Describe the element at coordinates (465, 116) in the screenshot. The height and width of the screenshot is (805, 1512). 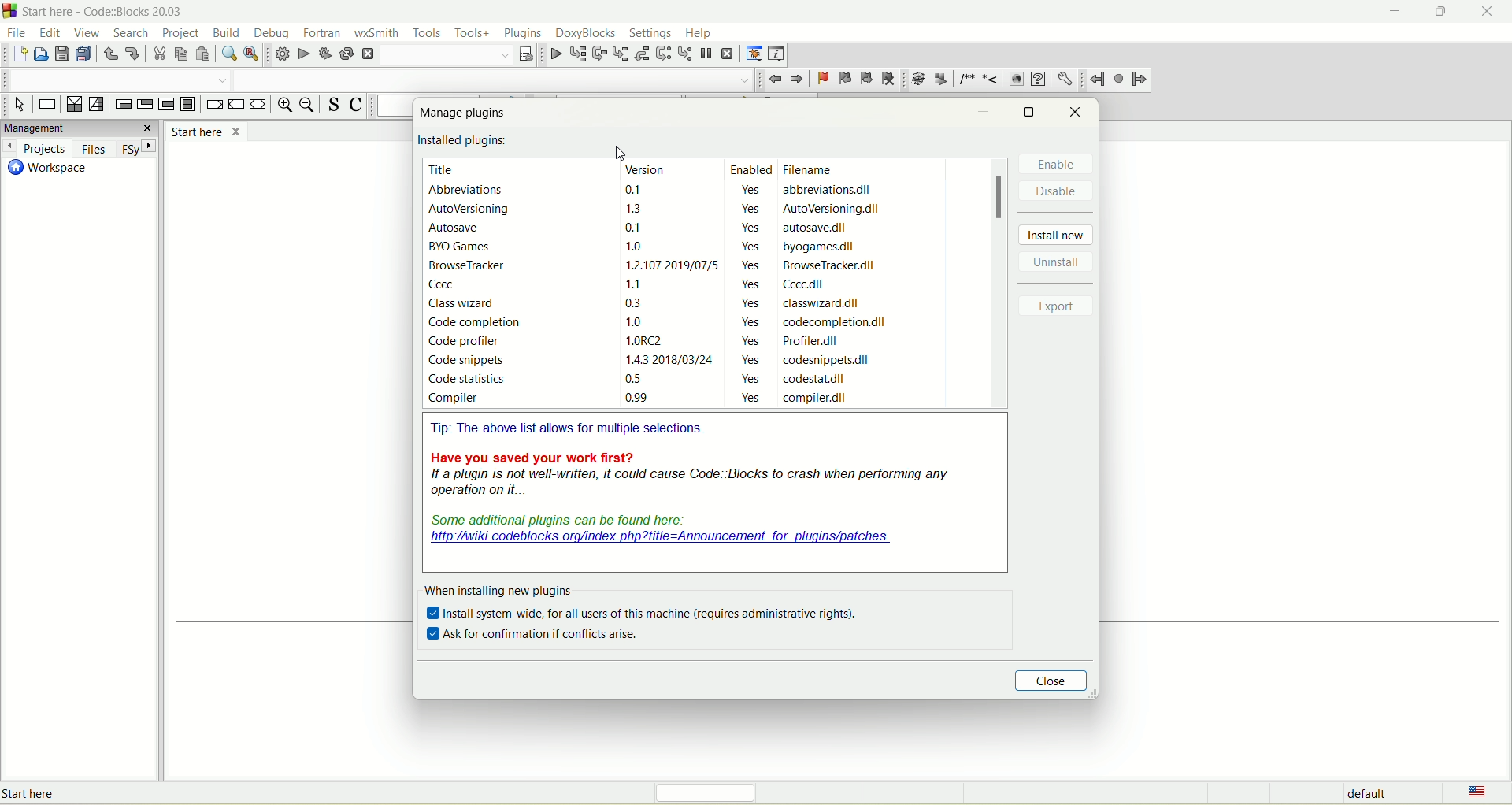
I see `manage plugins` at that location.